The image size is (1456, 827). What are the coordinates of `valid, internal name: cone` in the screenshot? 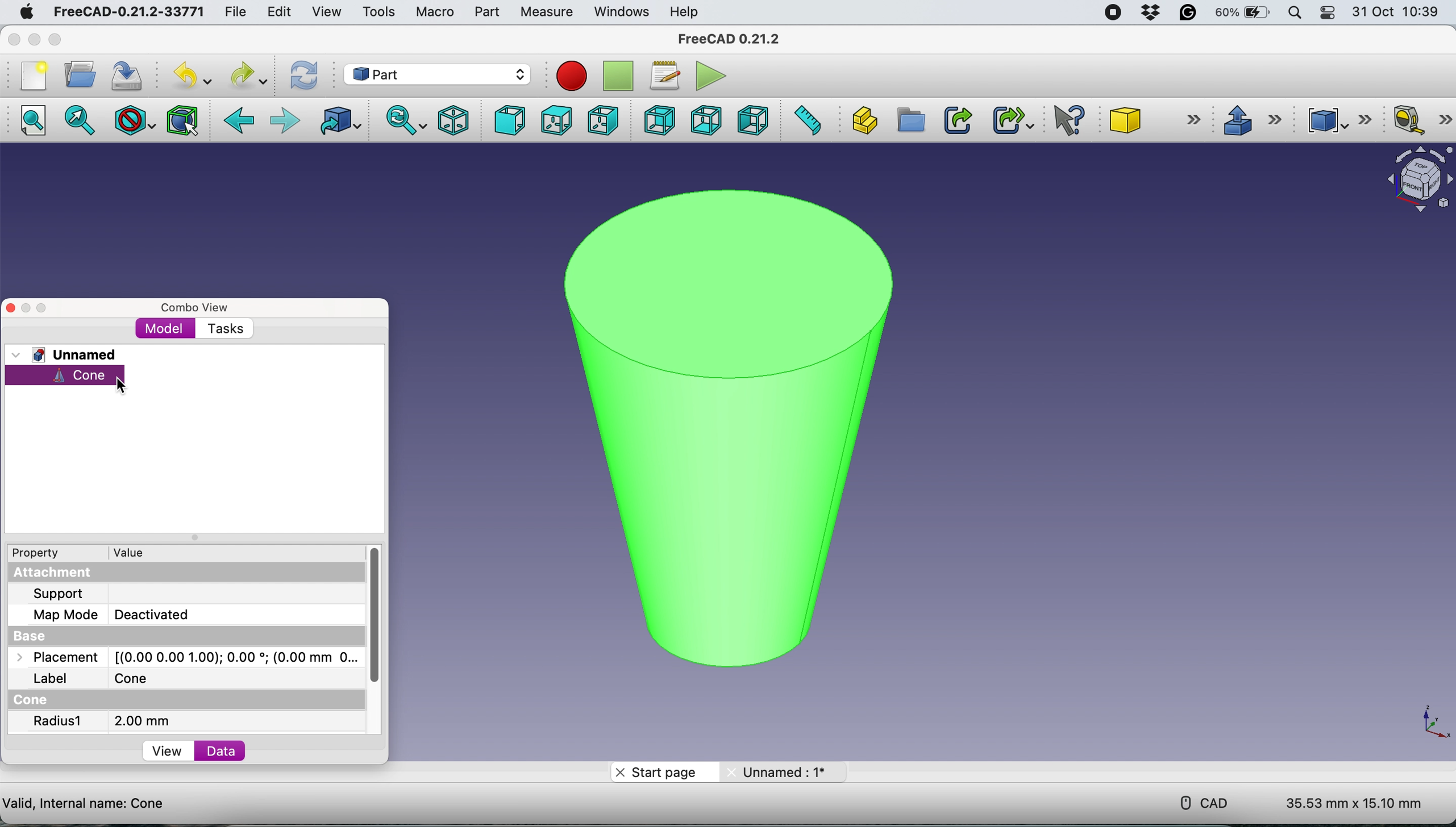 It's located at (85, 802).